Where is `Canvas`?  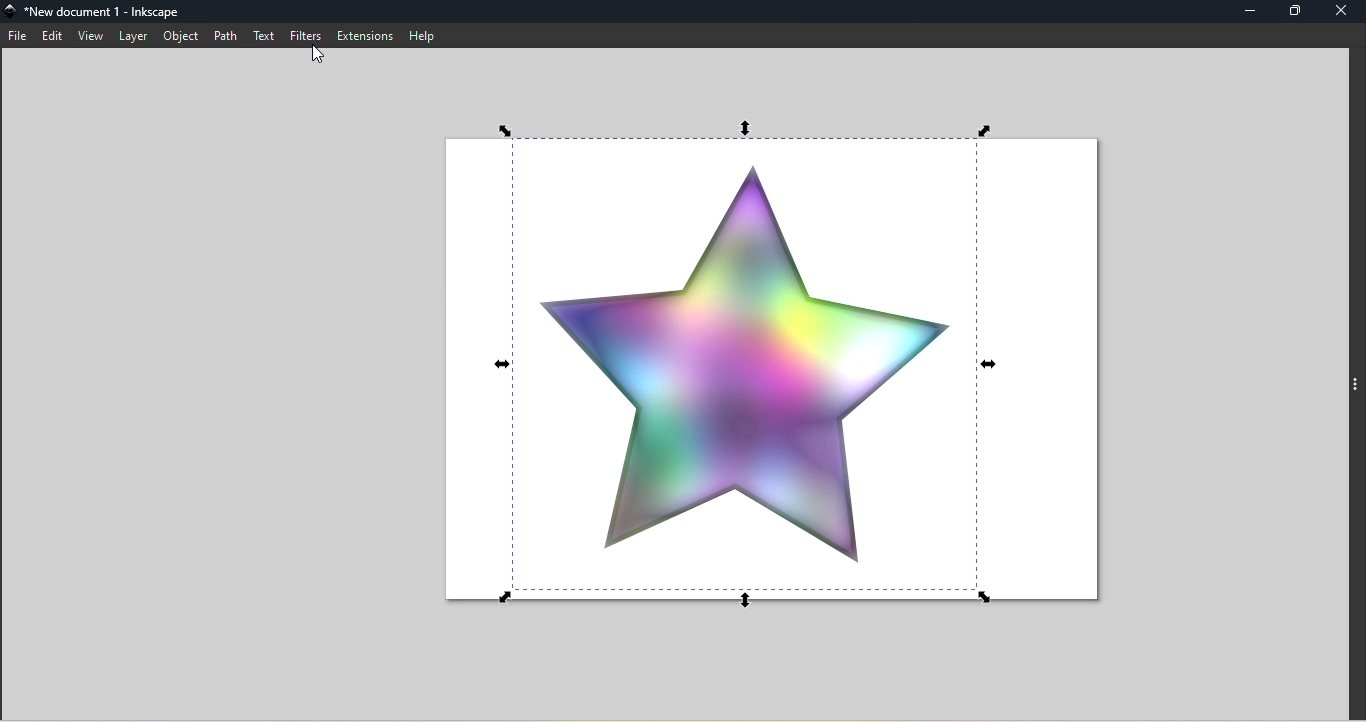
Canvas is located at coordinates (765, 376).